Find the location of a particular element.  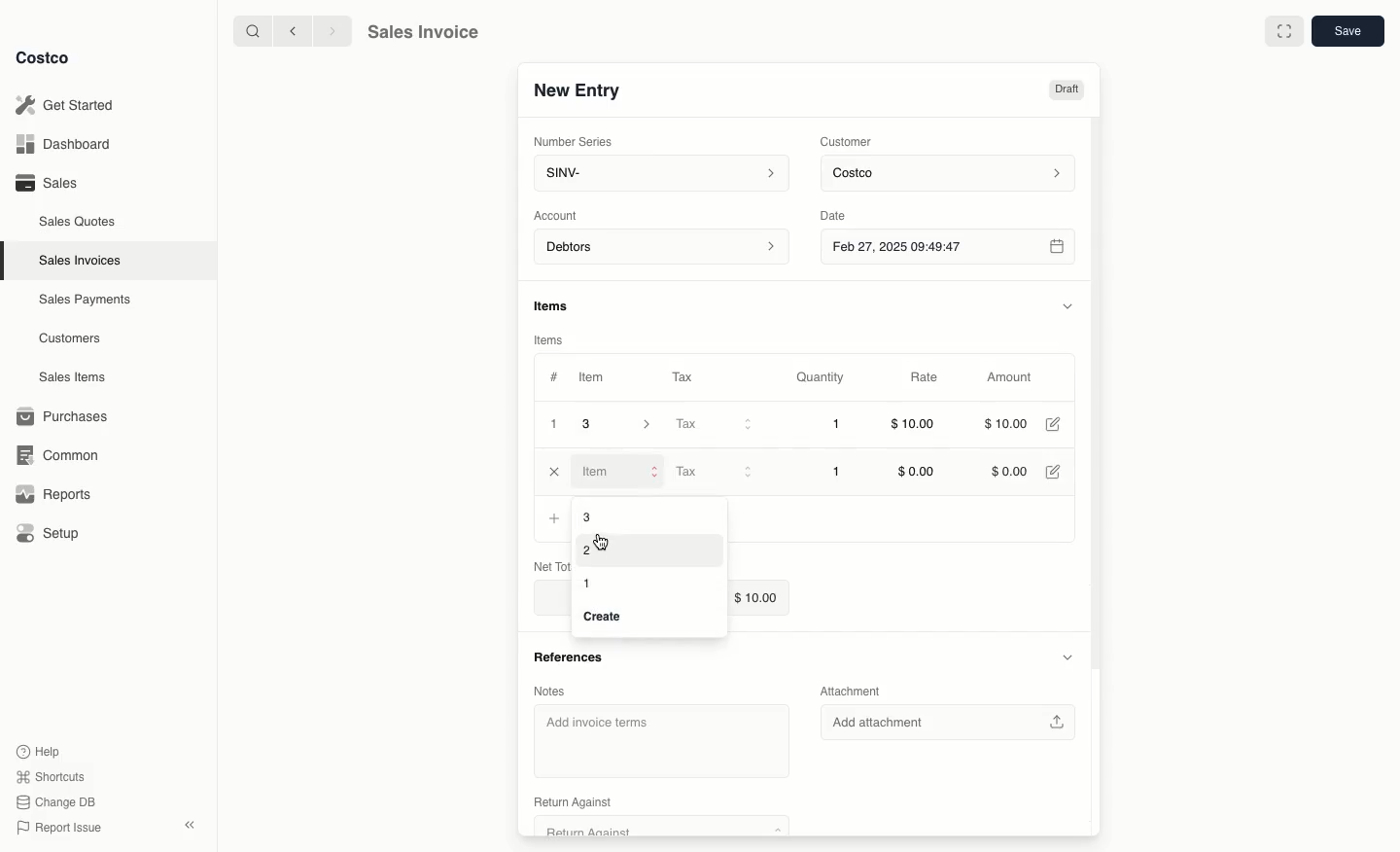

Quantity is located at coordinates (822, 377).